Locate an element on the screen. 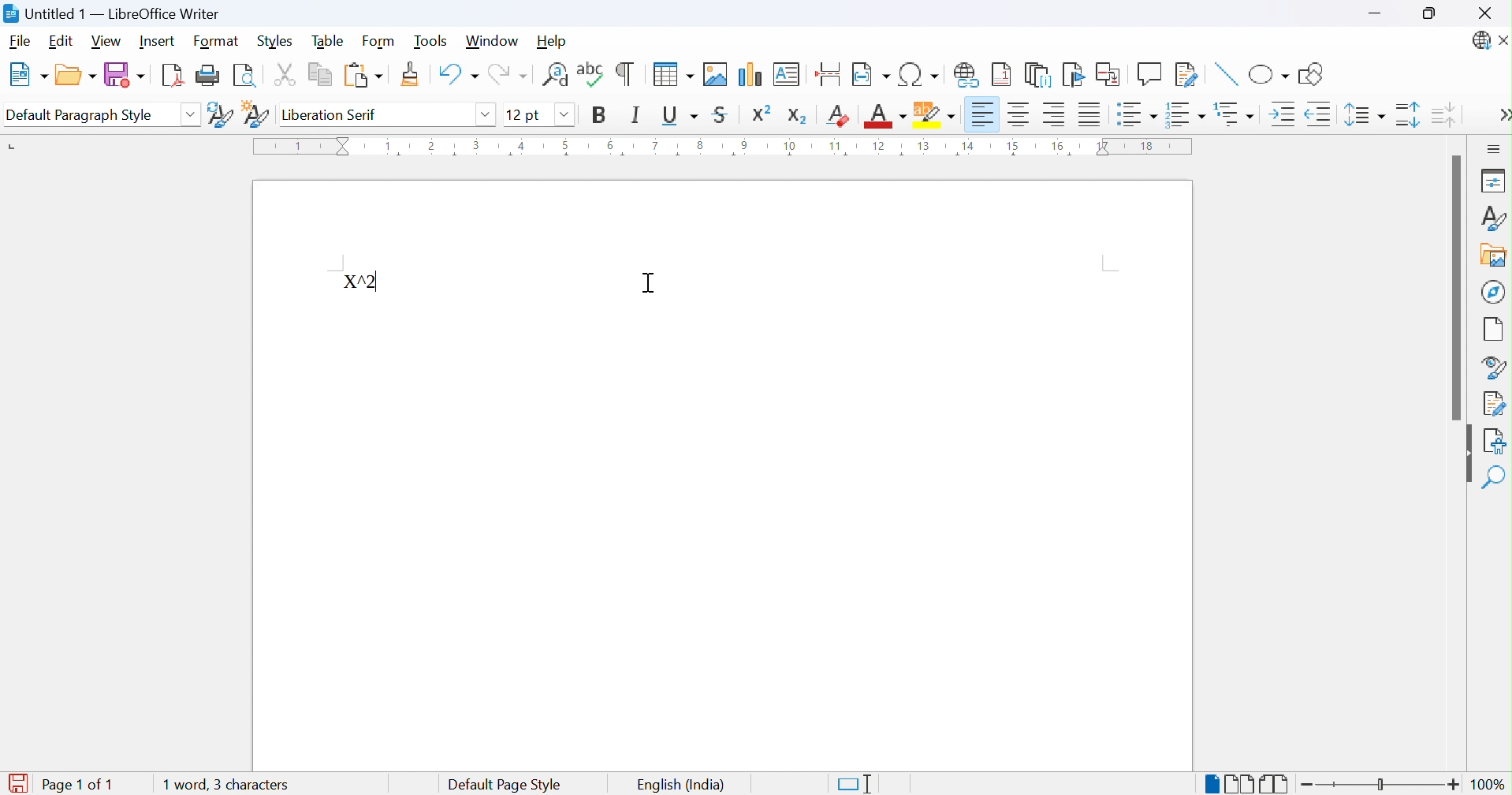  Basic shapes is located at coordinates (1271, 75).